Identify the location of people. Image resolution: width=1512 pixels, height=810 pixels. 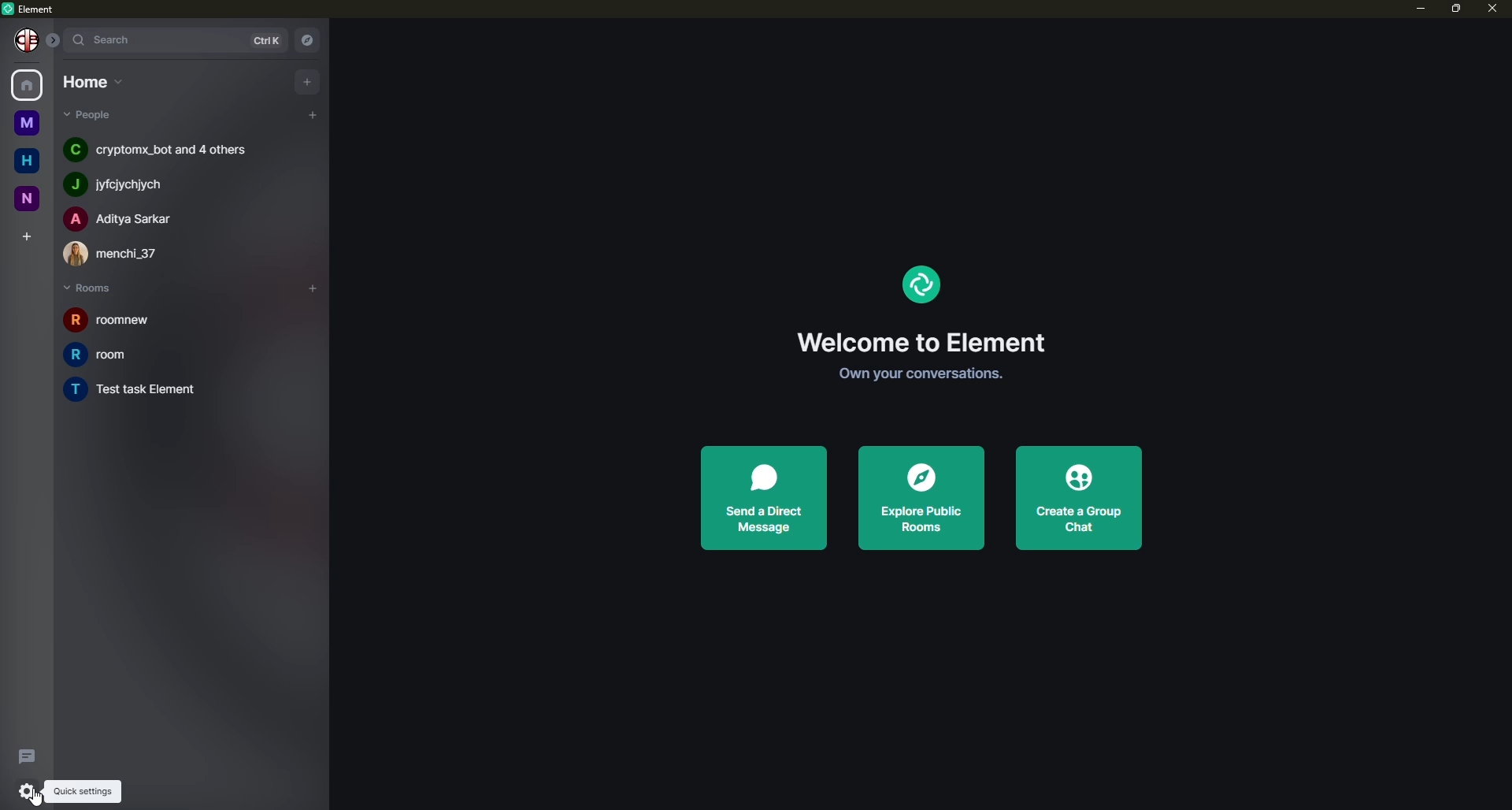
(120, 254).